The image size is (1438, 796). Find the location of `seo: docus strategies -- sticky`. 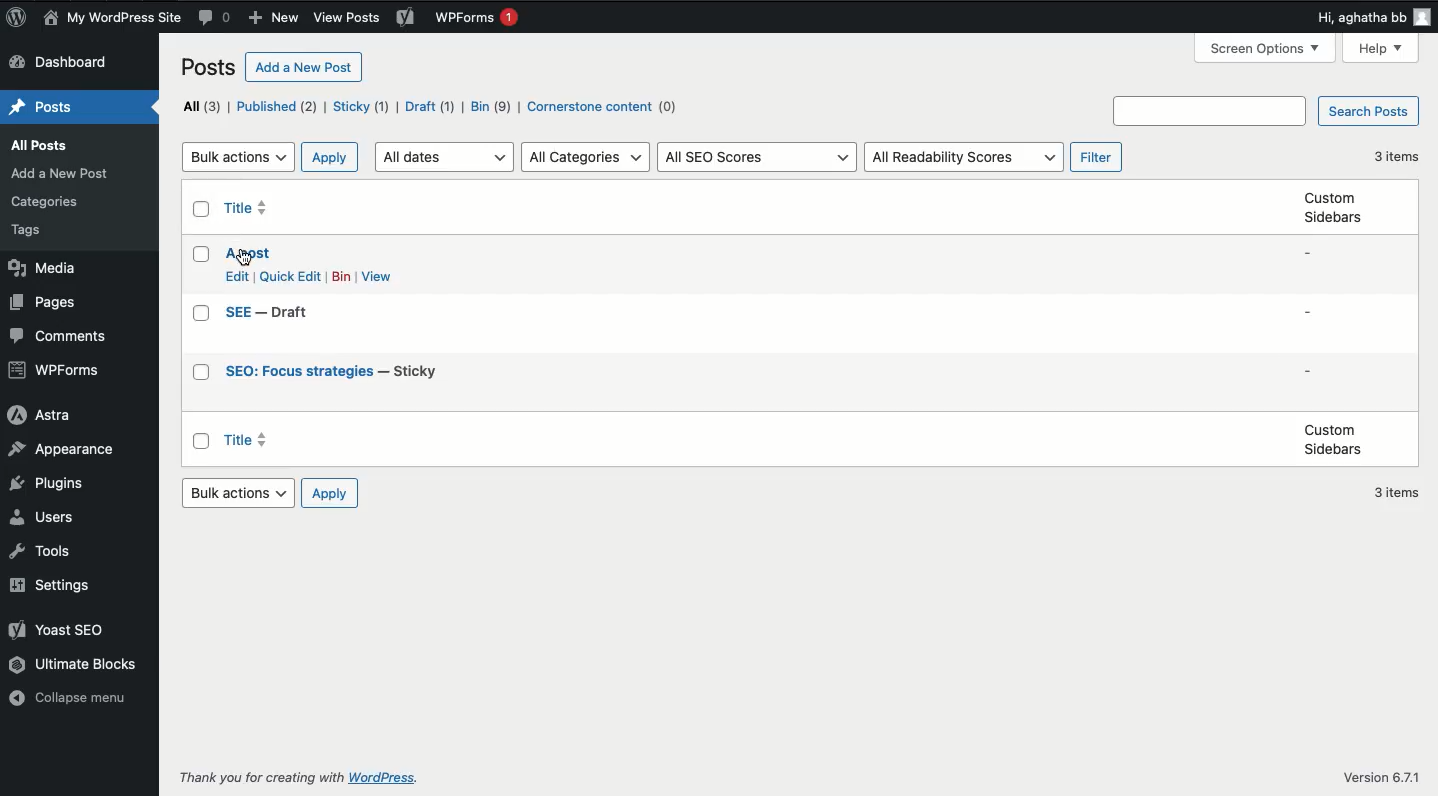

seo: docus strategies -- sticky is located at coordinates (337, 373).